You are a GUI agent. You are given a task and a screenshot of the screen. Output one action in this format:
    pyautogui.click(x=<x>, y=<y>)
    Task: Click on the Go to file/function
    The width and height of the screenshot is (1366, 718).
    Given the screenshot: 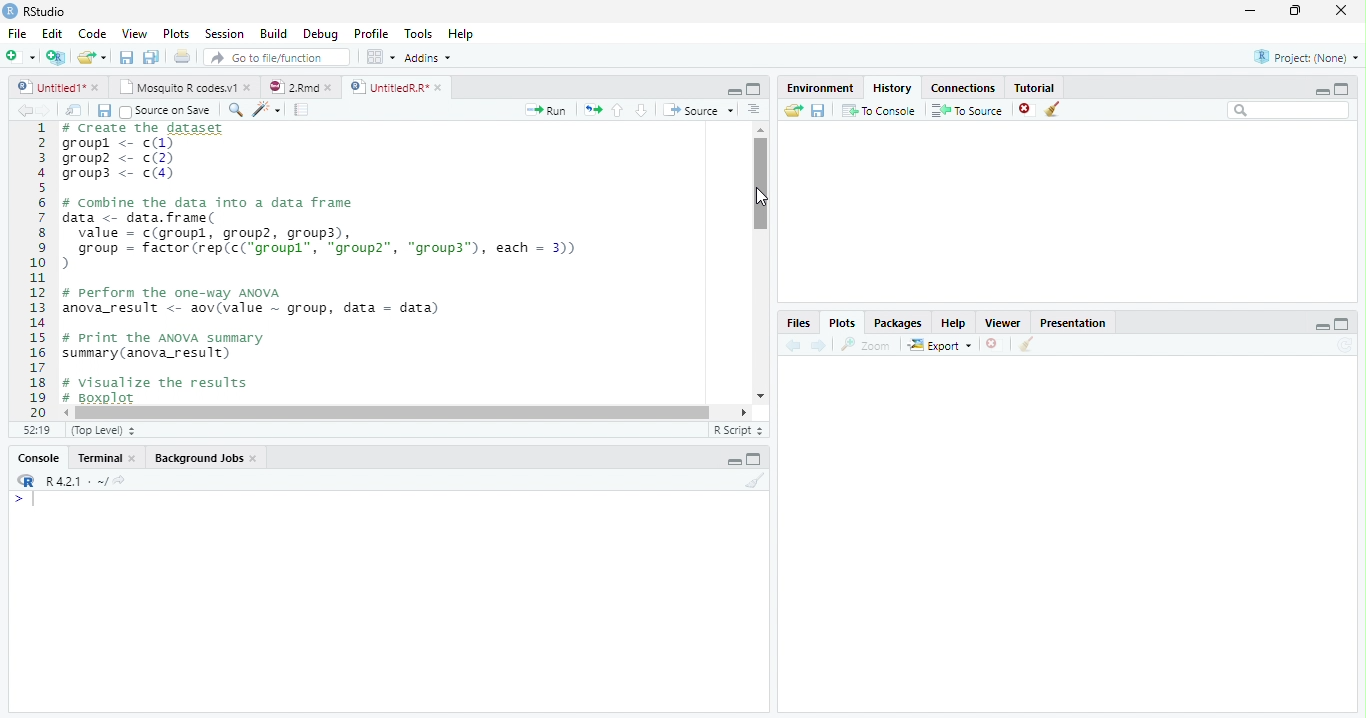 What is the action you would take?
    pyautogui.click(x=277, y=58)
    